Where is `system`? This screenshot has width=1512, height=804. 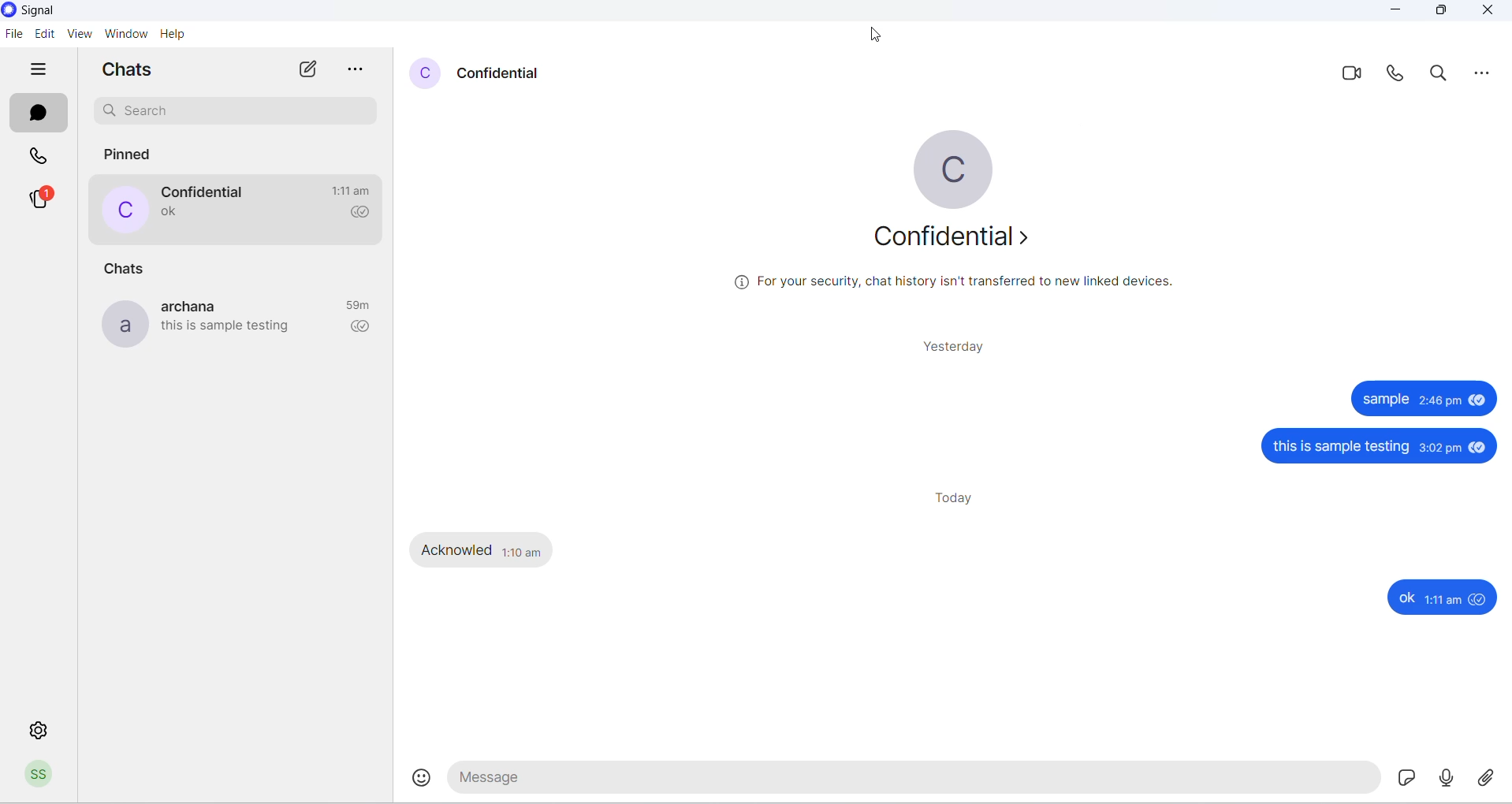
system is located at coordinates (56, 12).